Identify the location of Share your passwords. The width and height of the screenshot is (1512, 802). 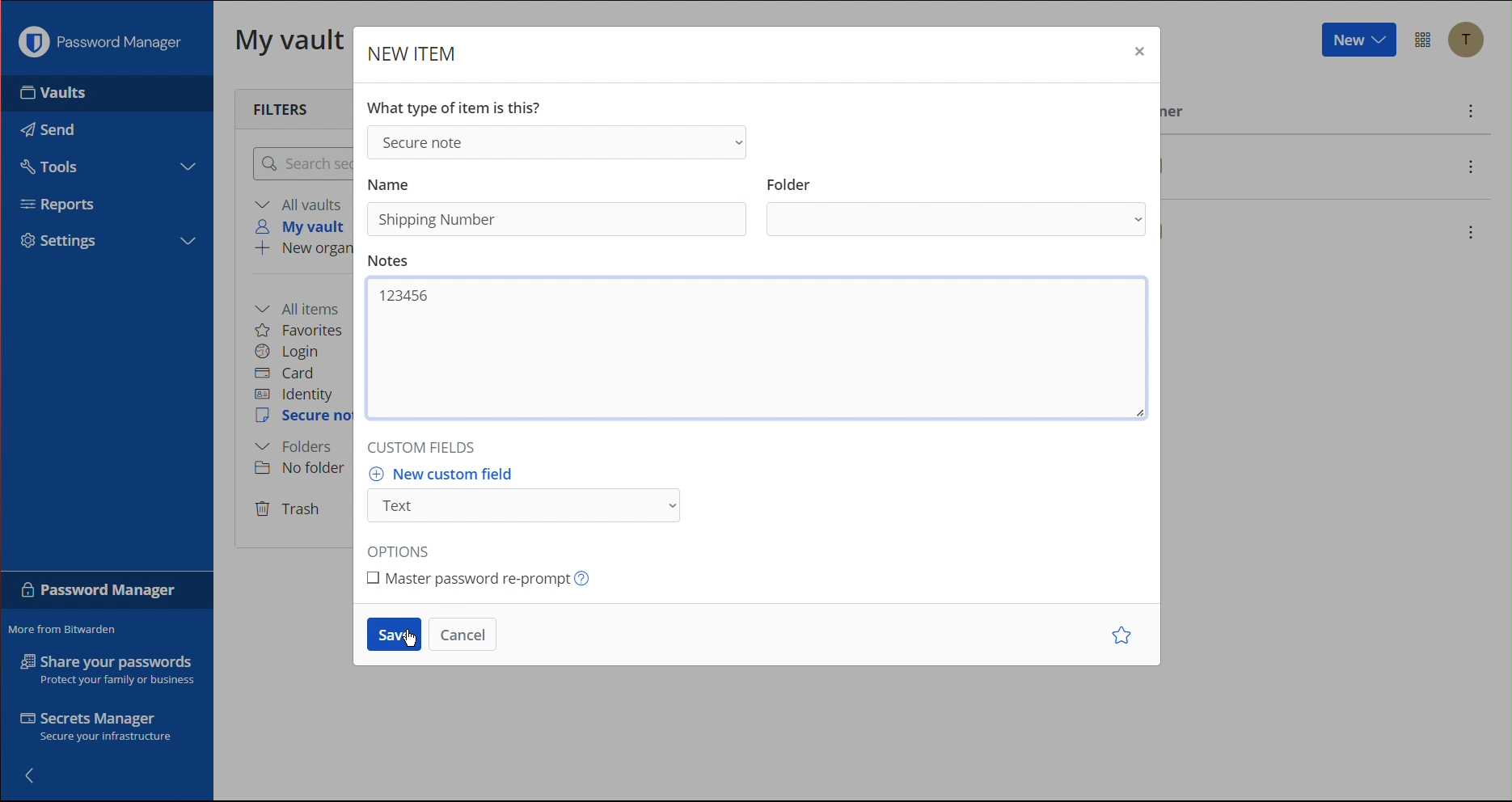
(103, 670).